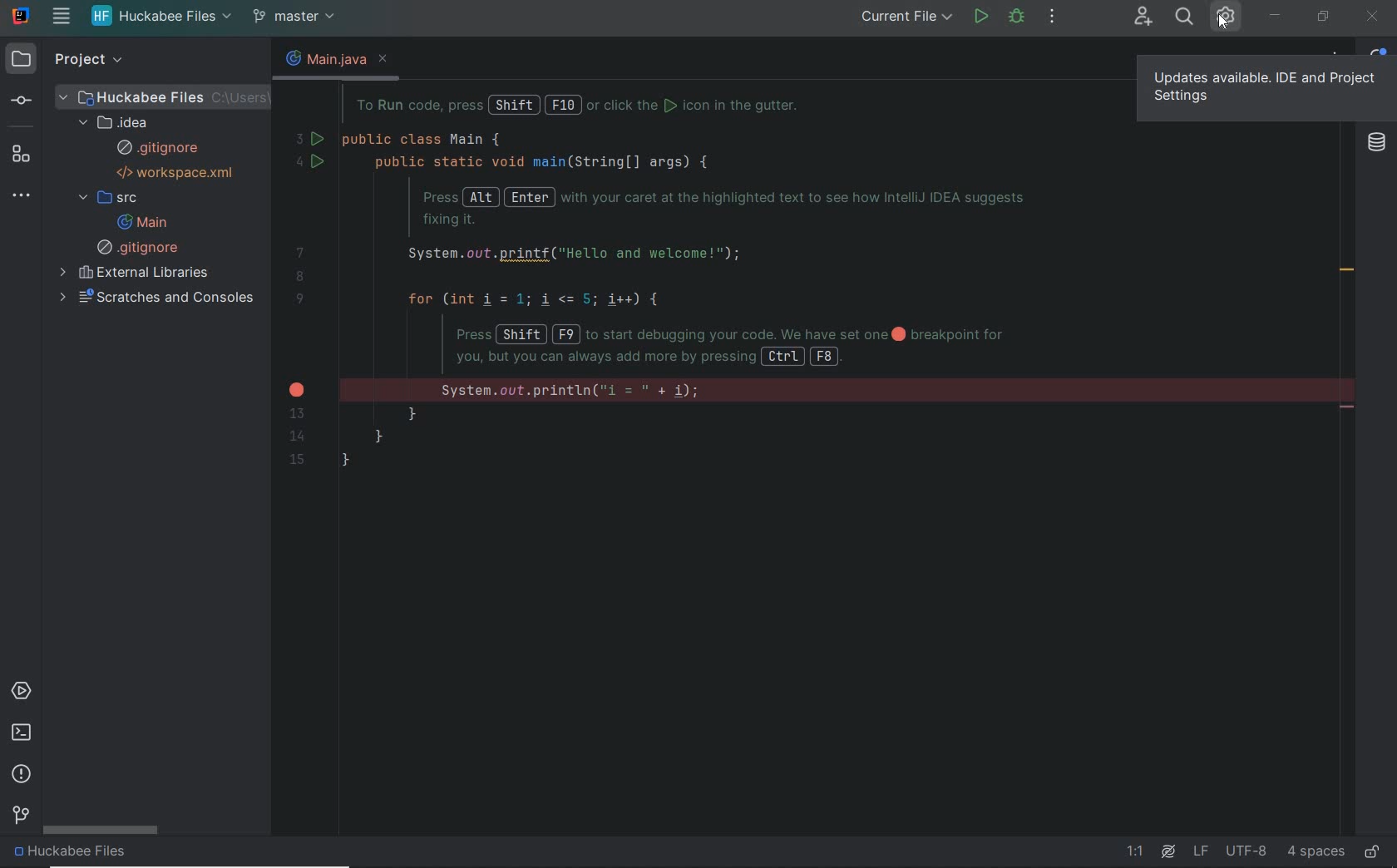 The image size is (1397, 868). I want to click on main, so click(141, 222).